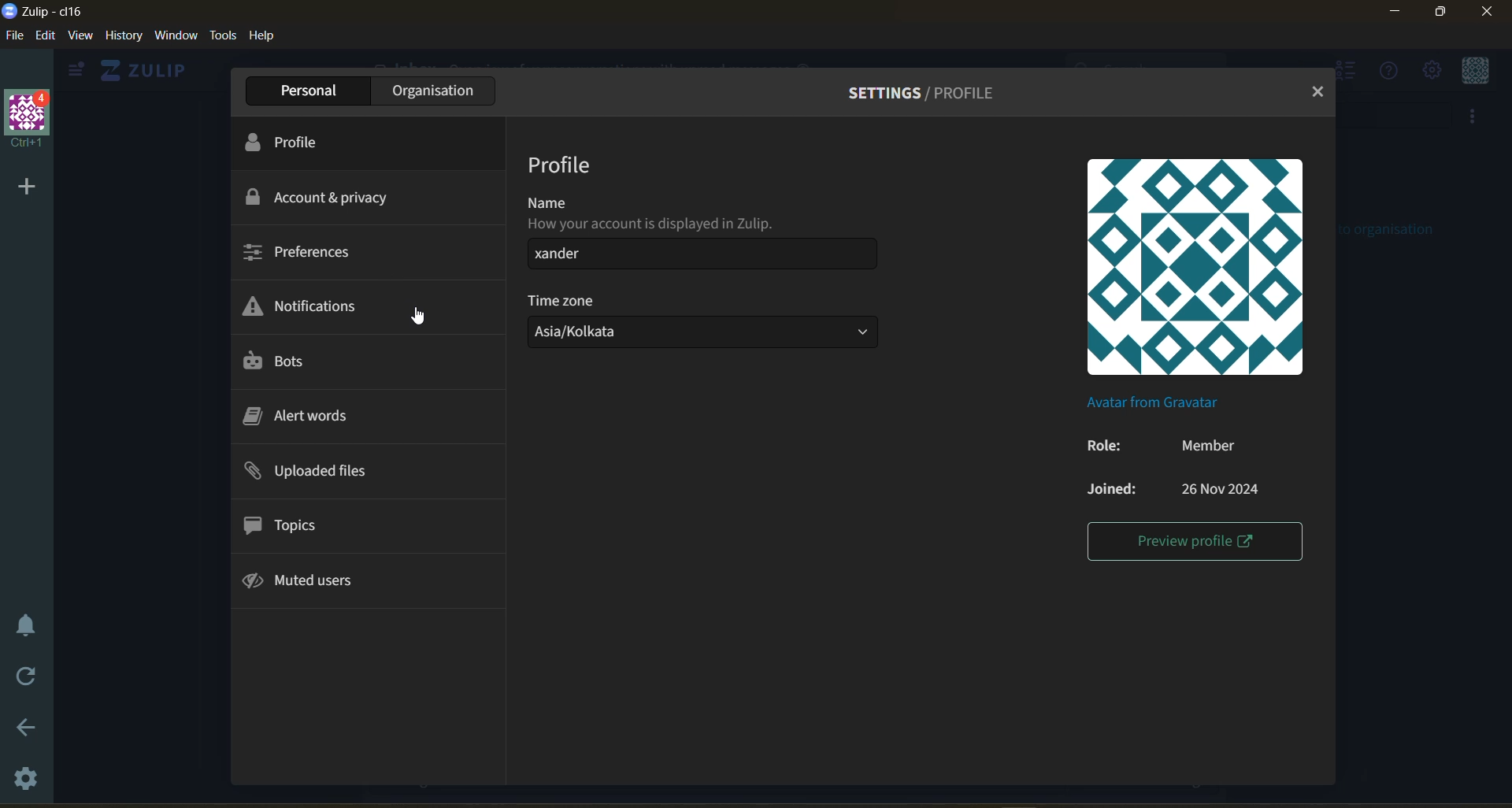 The width and height of the screenshot is (1512, 808). I want to click on account and privacy, so click(329, 198).